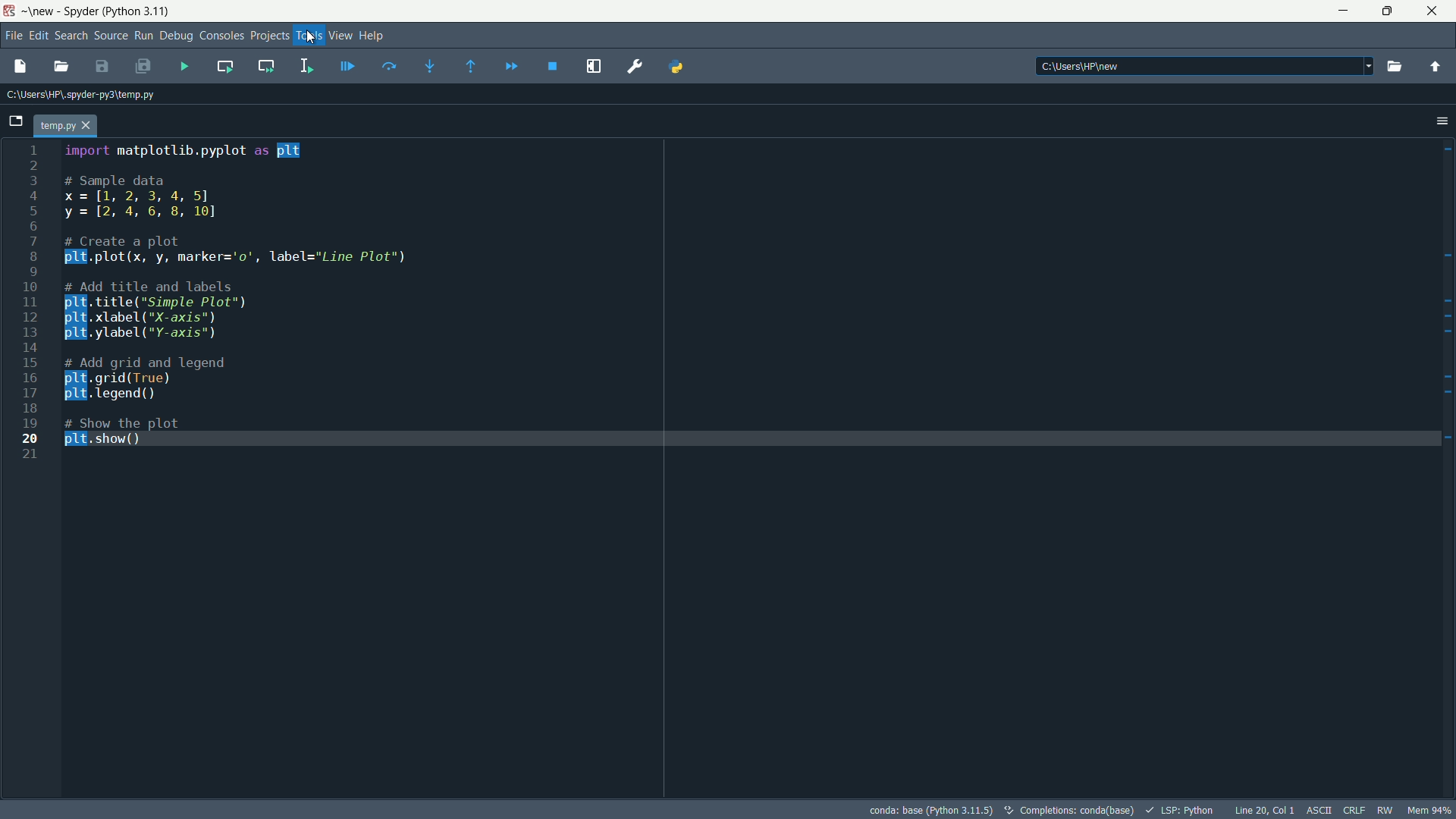 The height and width of the screenshot is (819, 1456). I want to click on stop debugging, so click(553, 66).